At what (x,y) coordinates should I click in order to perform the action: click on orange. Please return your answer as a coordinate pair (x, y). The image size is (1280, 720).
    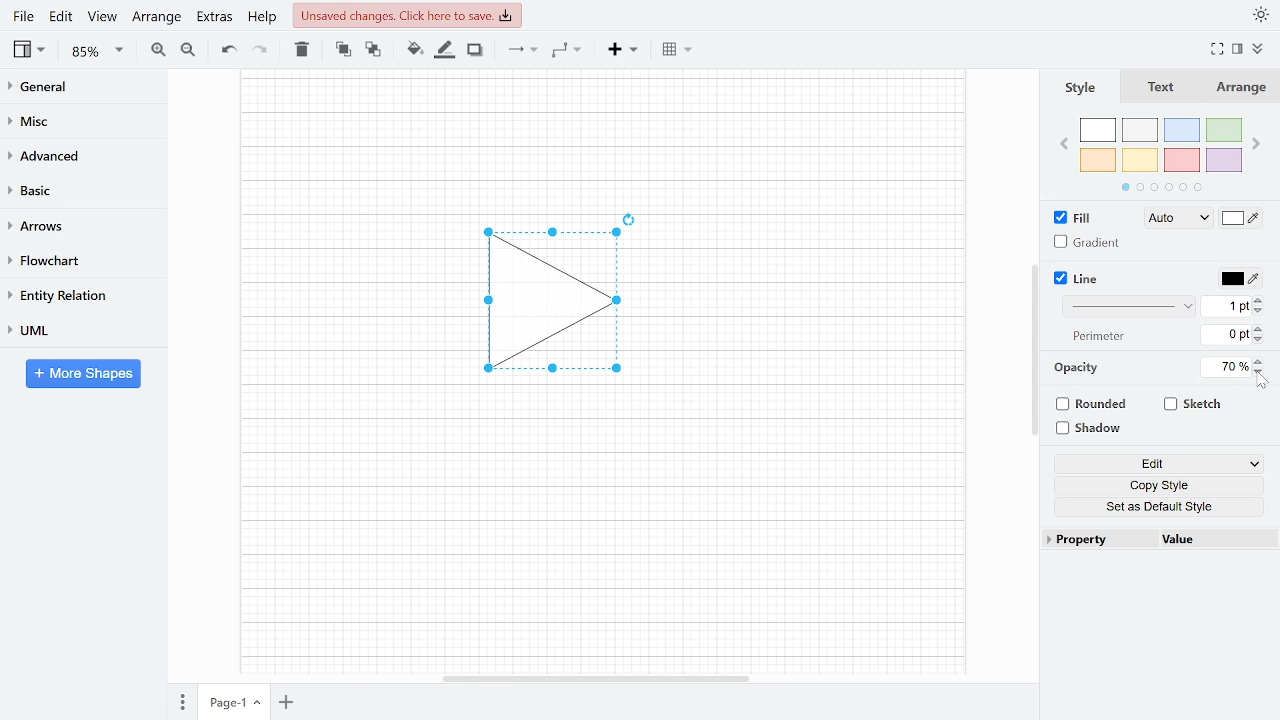
    Looking at the image, I should click on (1098, 160).